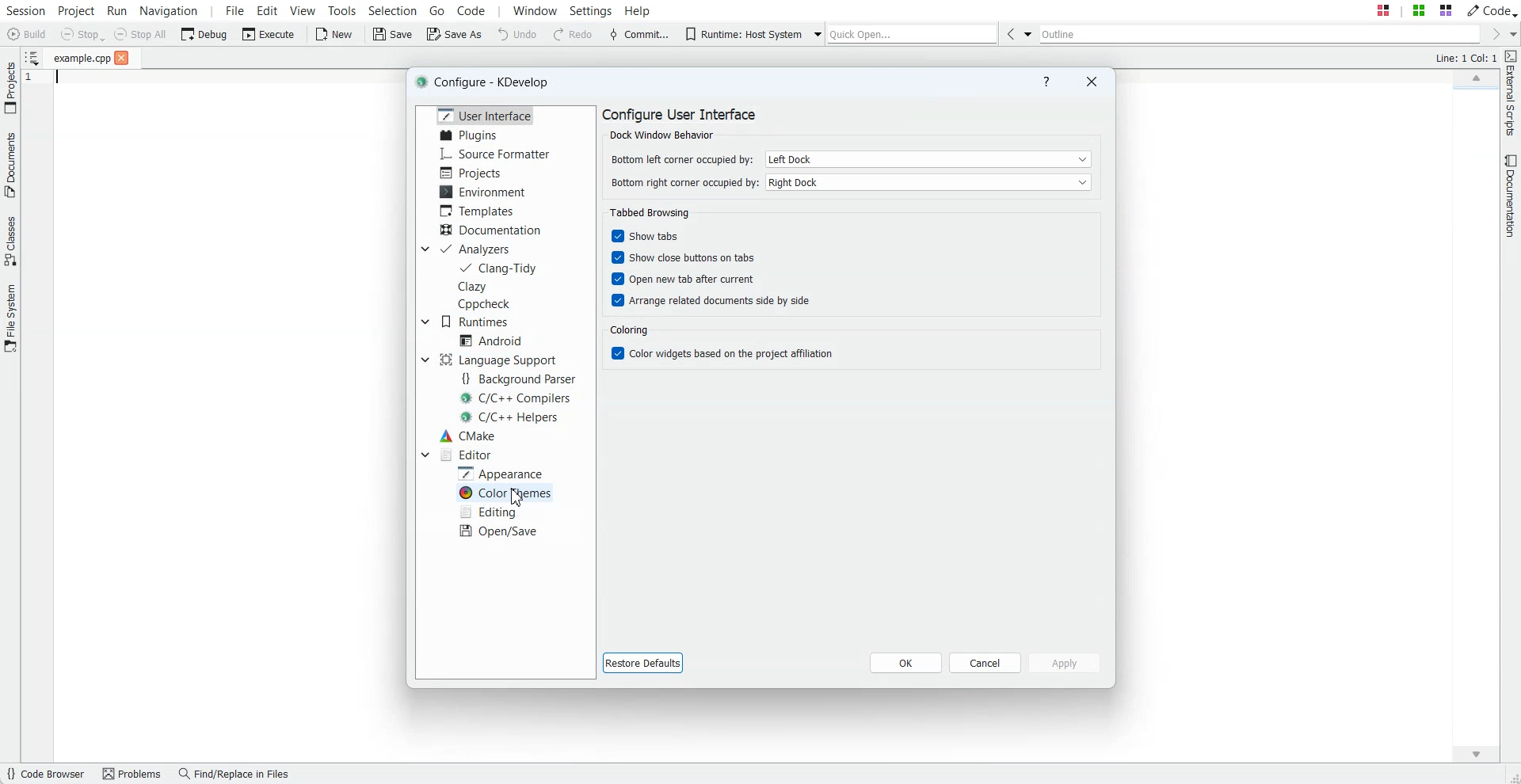  What do you see at coordinates (117, 10) in the screenshot?
I see `Run` at bounding box center [117, 10].